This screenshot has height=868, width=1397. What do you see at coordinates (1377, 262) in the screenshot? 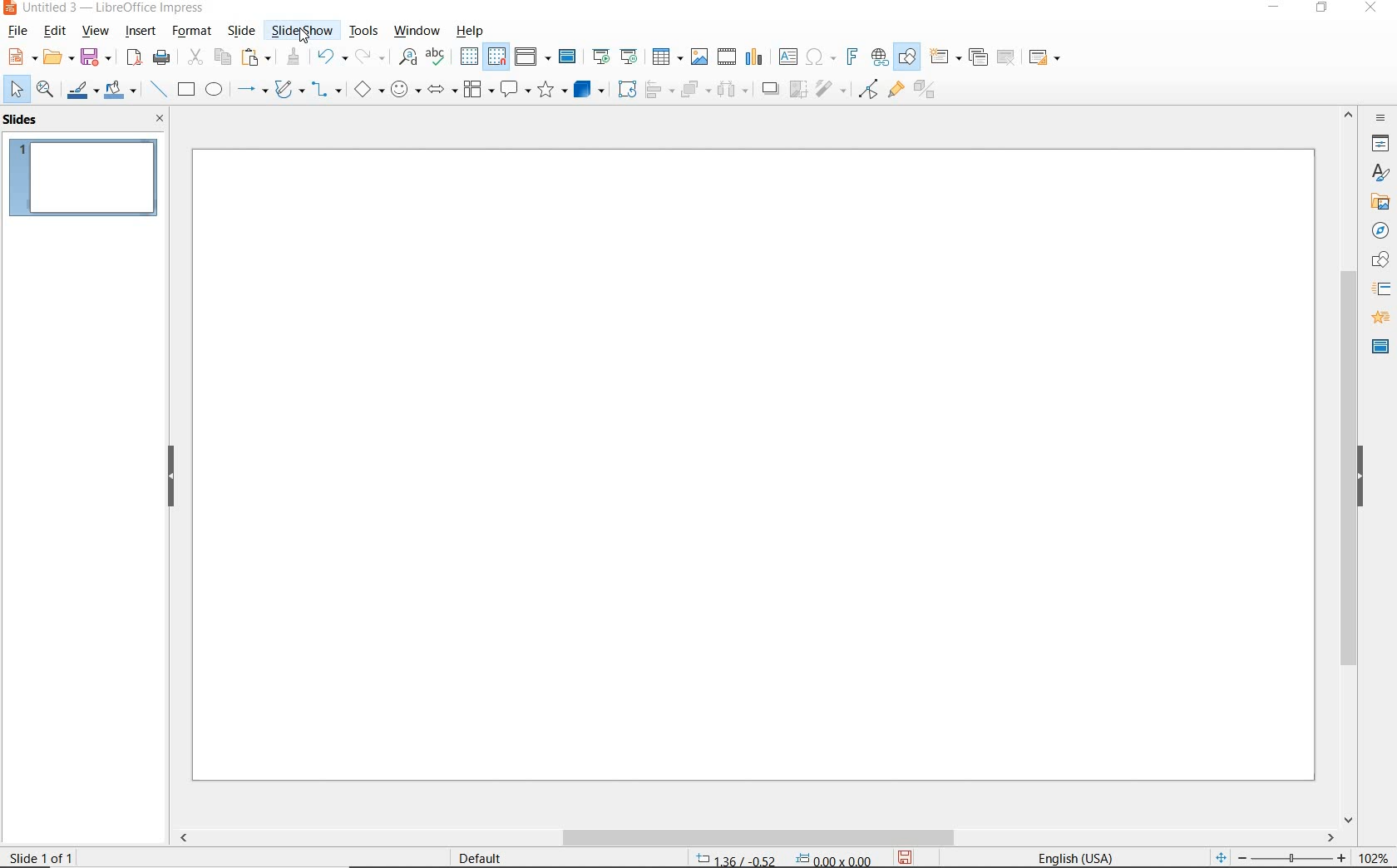
I see `SHAPES` at bounding box center [1377, 262].